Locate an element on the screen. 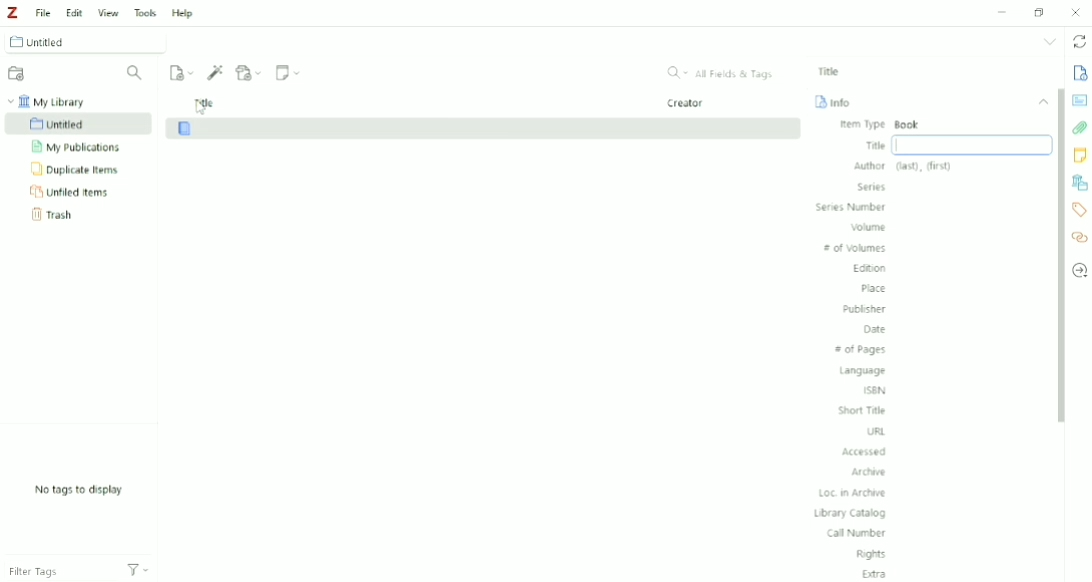 This screenshot has height=582, width=1092. Accessed is located at coordinates (865, 451).